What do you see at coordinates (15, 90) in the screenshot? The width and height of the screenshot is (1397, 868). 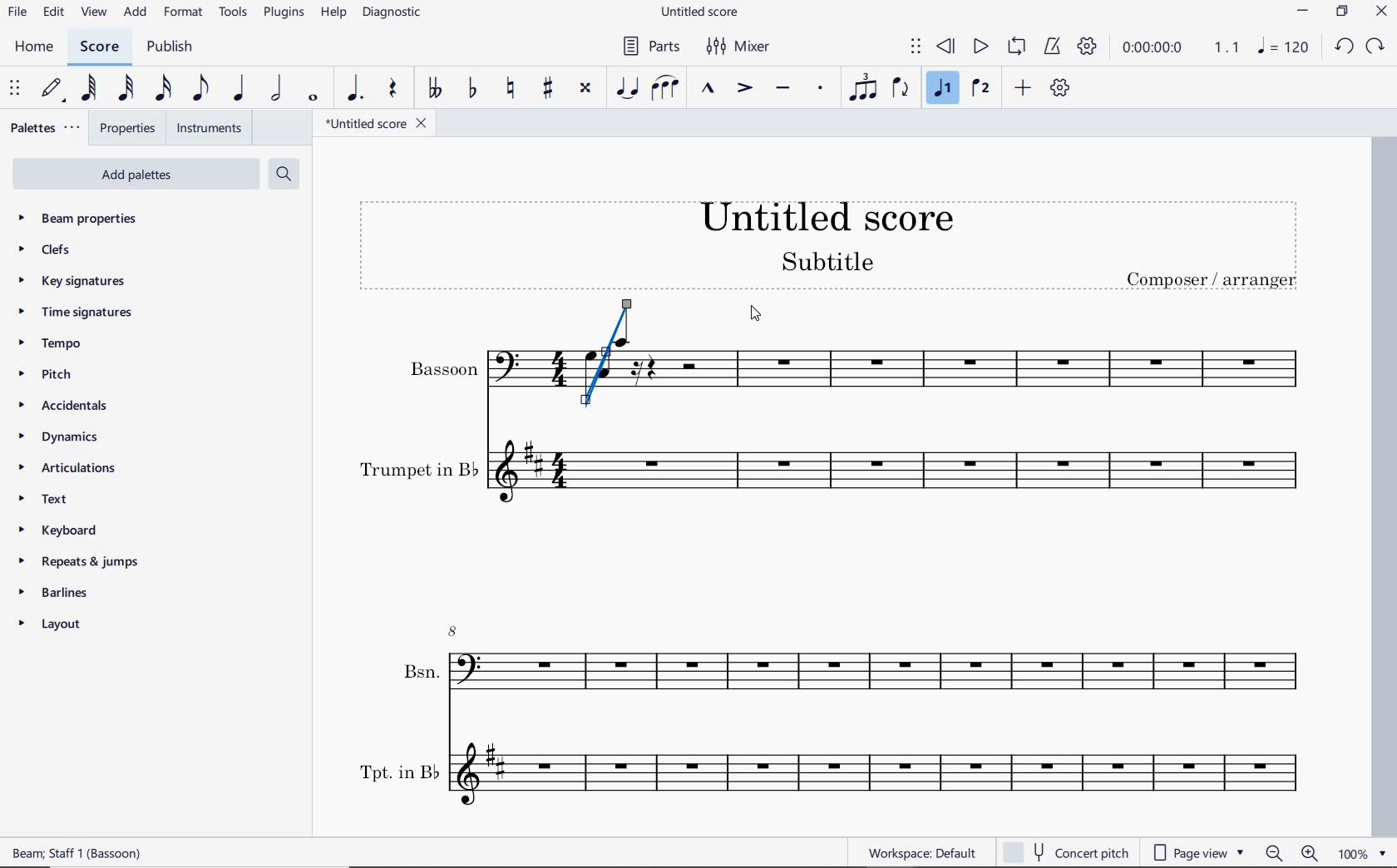 I see `select to move` at bounding box center [15, 90].